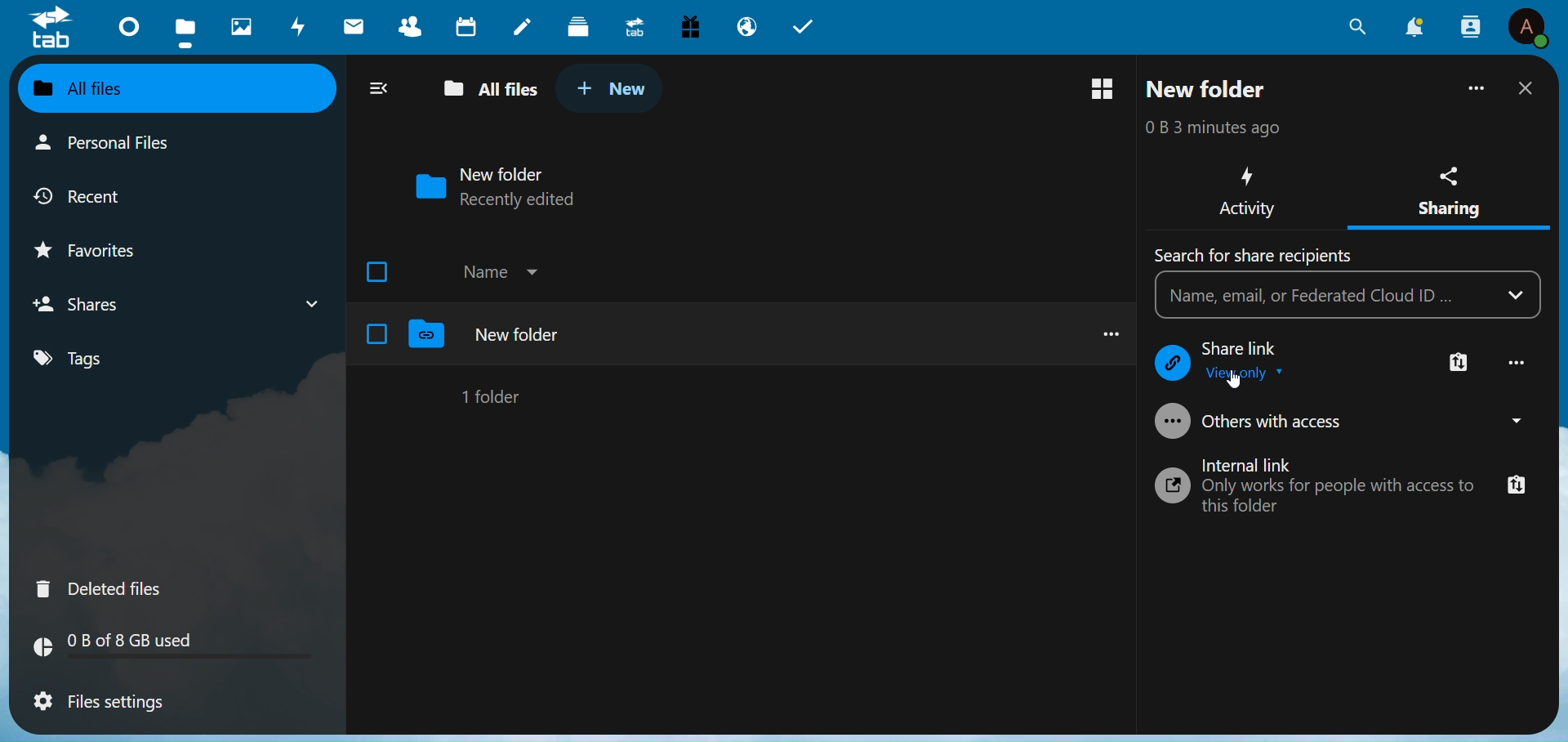  I want to click on Drop Down, so click(1512, 419).